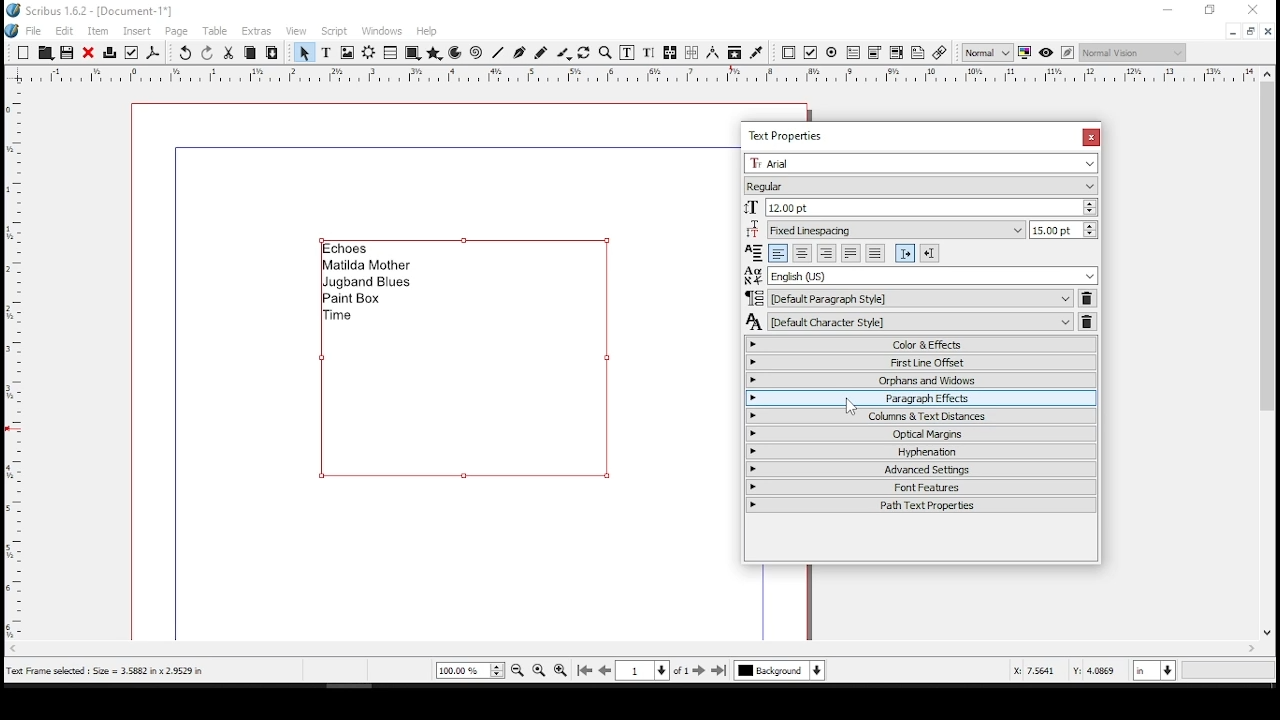  I want to click on freehand line, so click(540, 52).